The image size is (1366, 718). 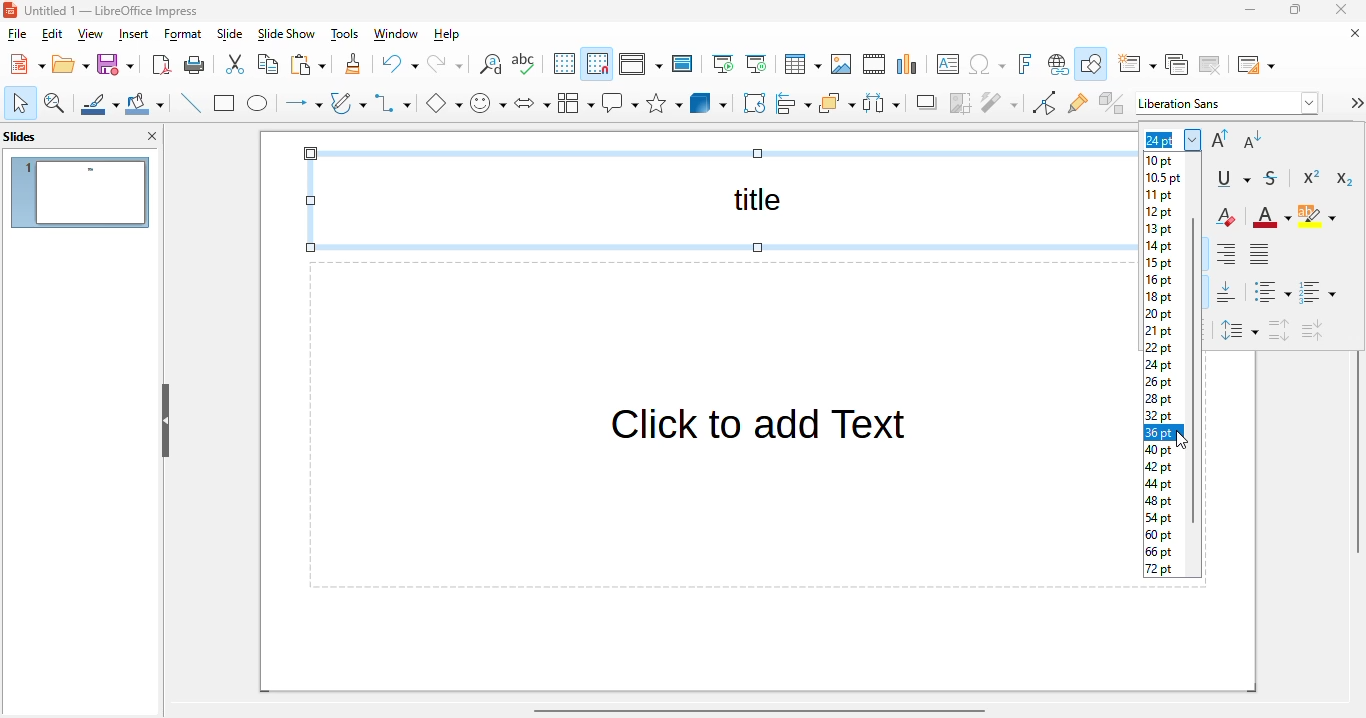 I want to click on select at least three objects to distribute, so click(x=881, y=103).